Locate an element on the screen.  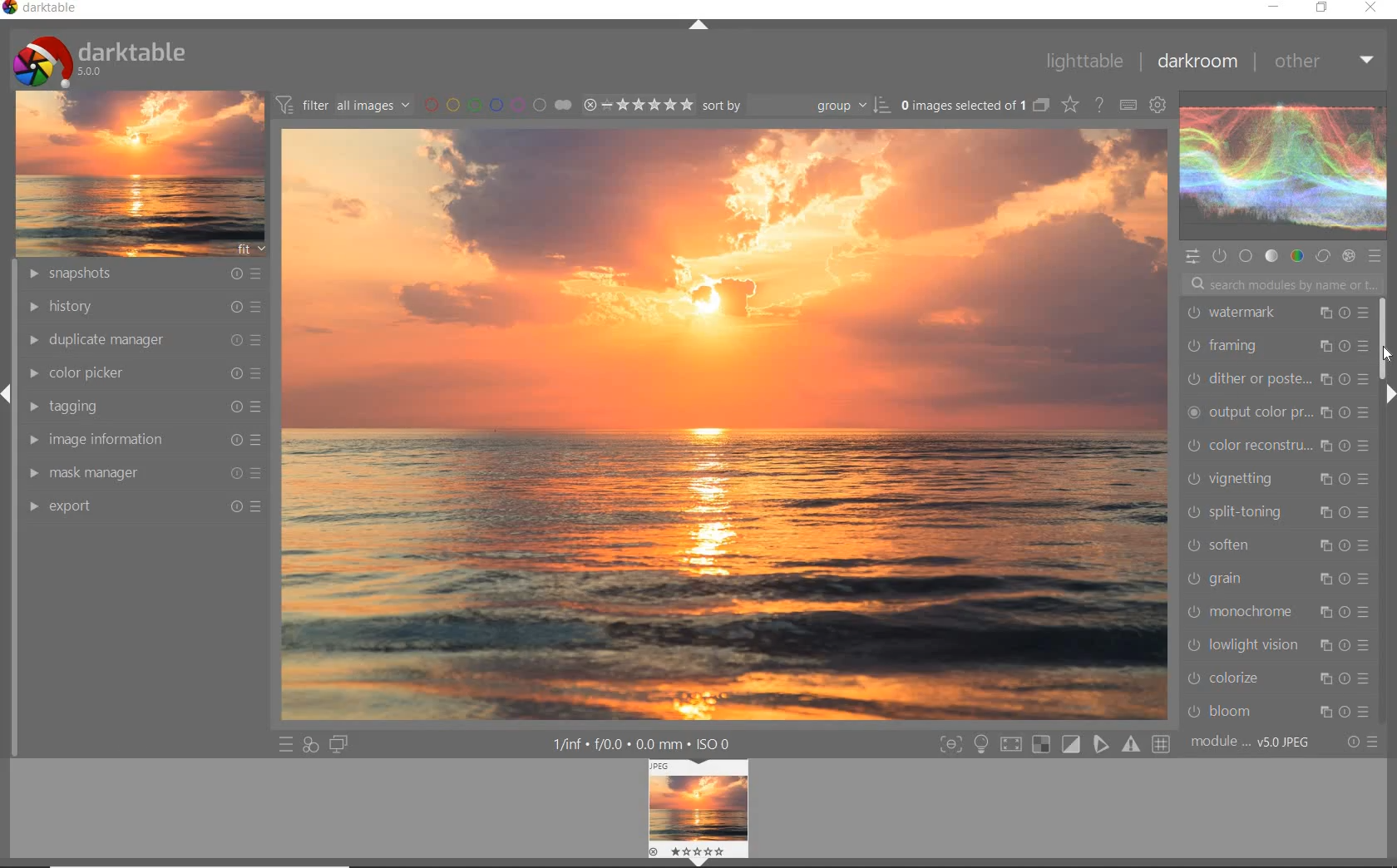
QUICK ACCESS TO PRESET is located at coordinates (284, 745).